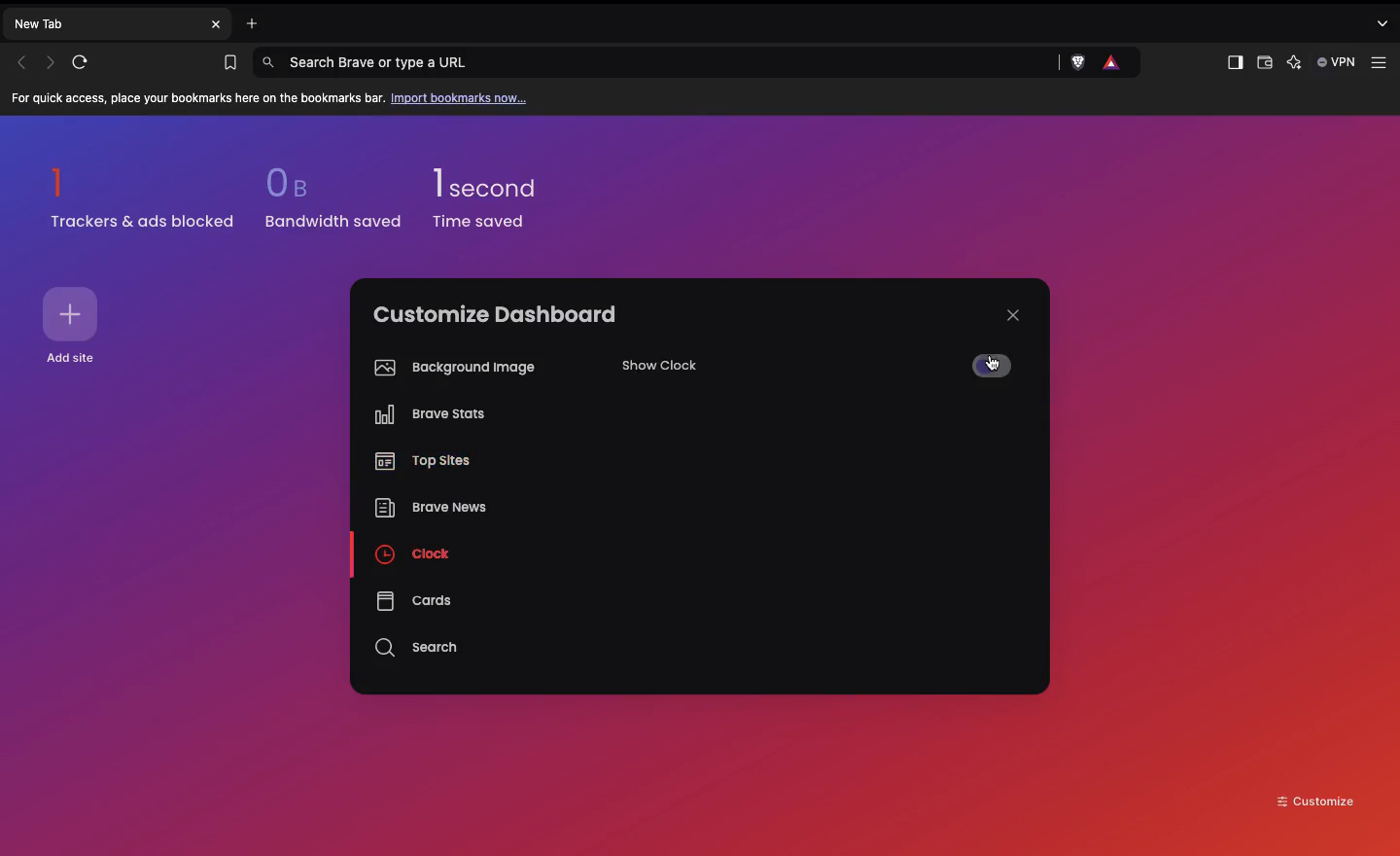 This screenshot has width=1400, height=856. Describe the element at coordinates (143, 197) in the screenshot. I see `1 trackers & ads blocked` at that location.